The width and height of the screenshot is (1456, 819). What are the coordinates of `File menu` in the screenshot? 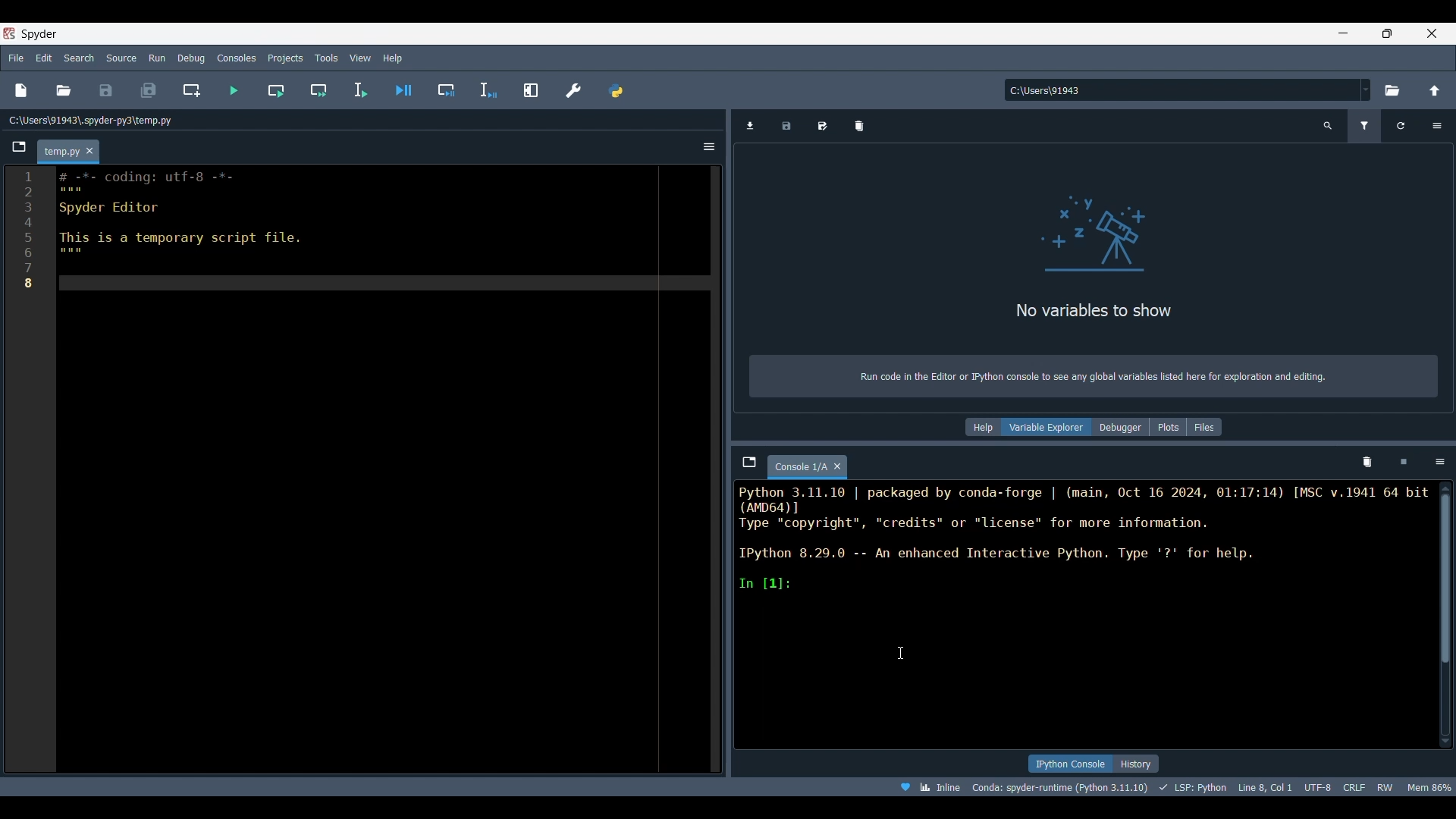 It's located at (16, 55).